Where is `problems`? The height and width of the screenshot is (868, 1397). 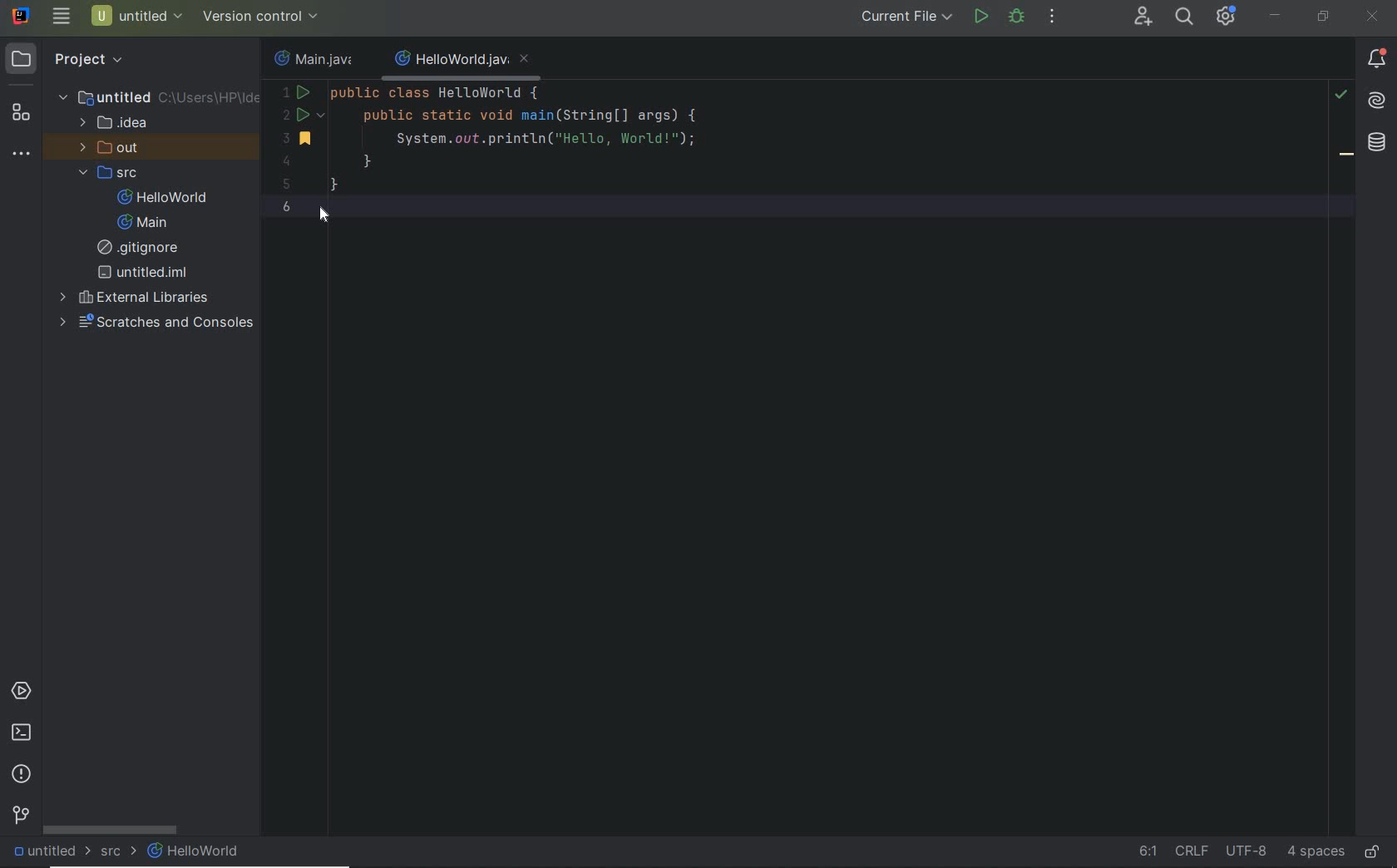
problems is located at coordinates (21, 776).